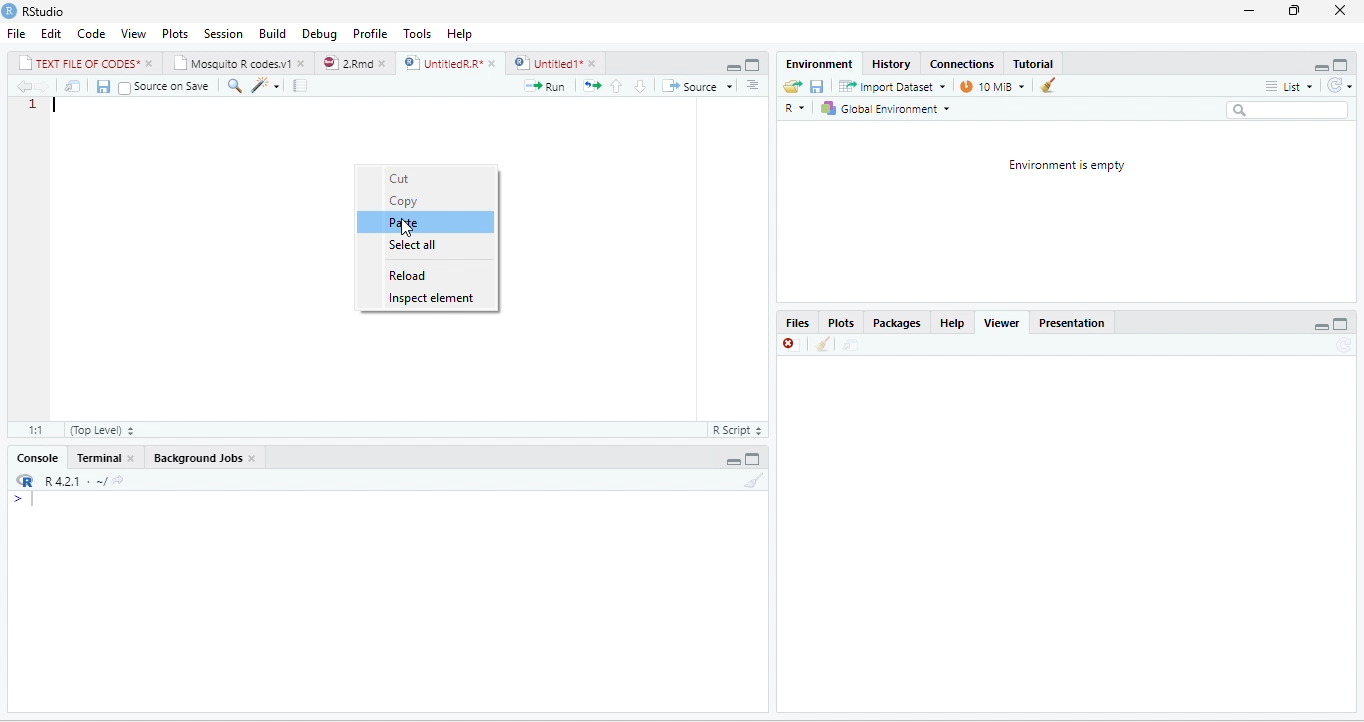 This screenshot has width=1364, height=722. I want to click on refresh, so click(1343, 86).